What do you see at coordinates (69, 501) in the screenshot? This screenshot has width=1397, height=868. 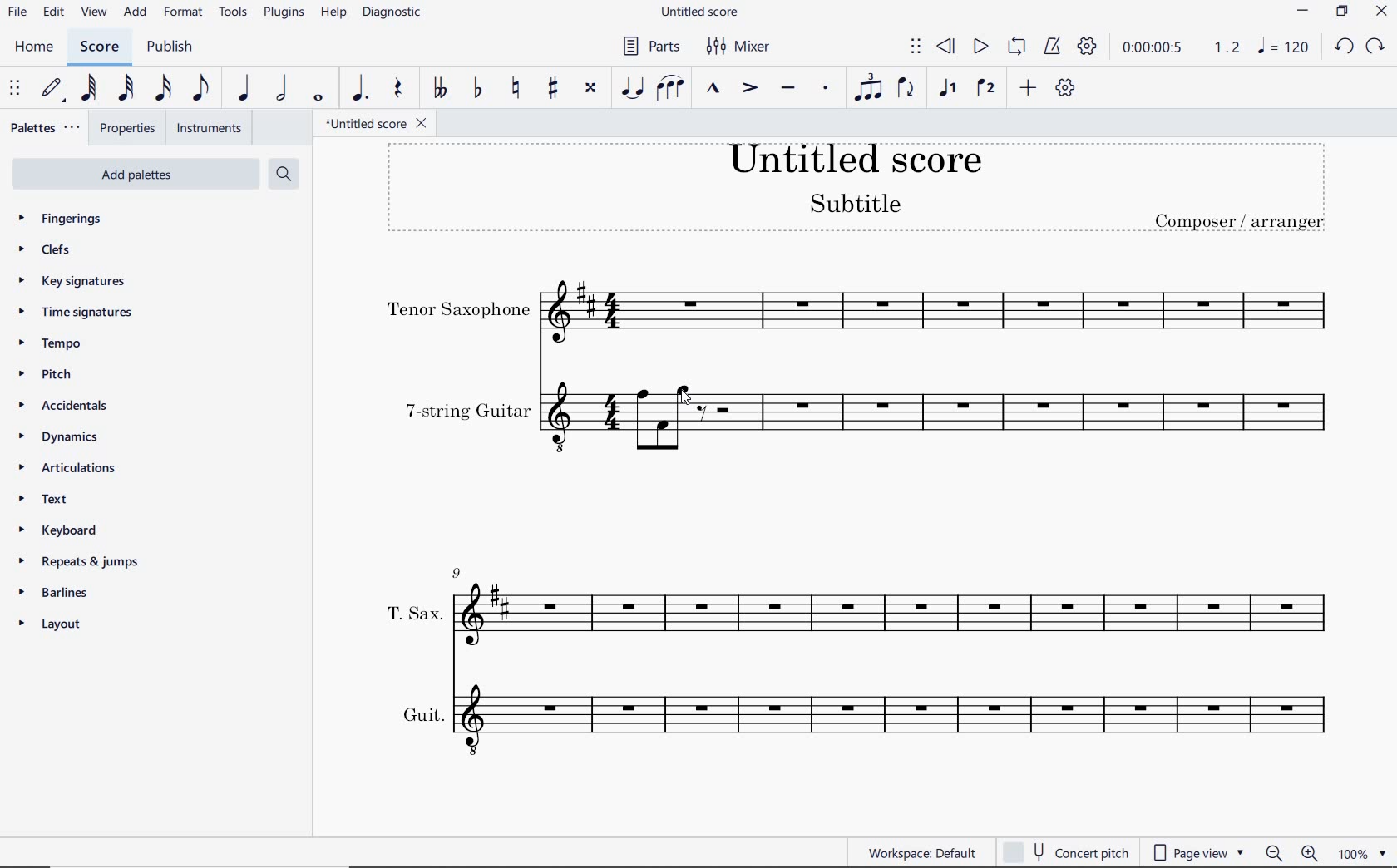 I see `TEXT` at bounding box center [69, 501].